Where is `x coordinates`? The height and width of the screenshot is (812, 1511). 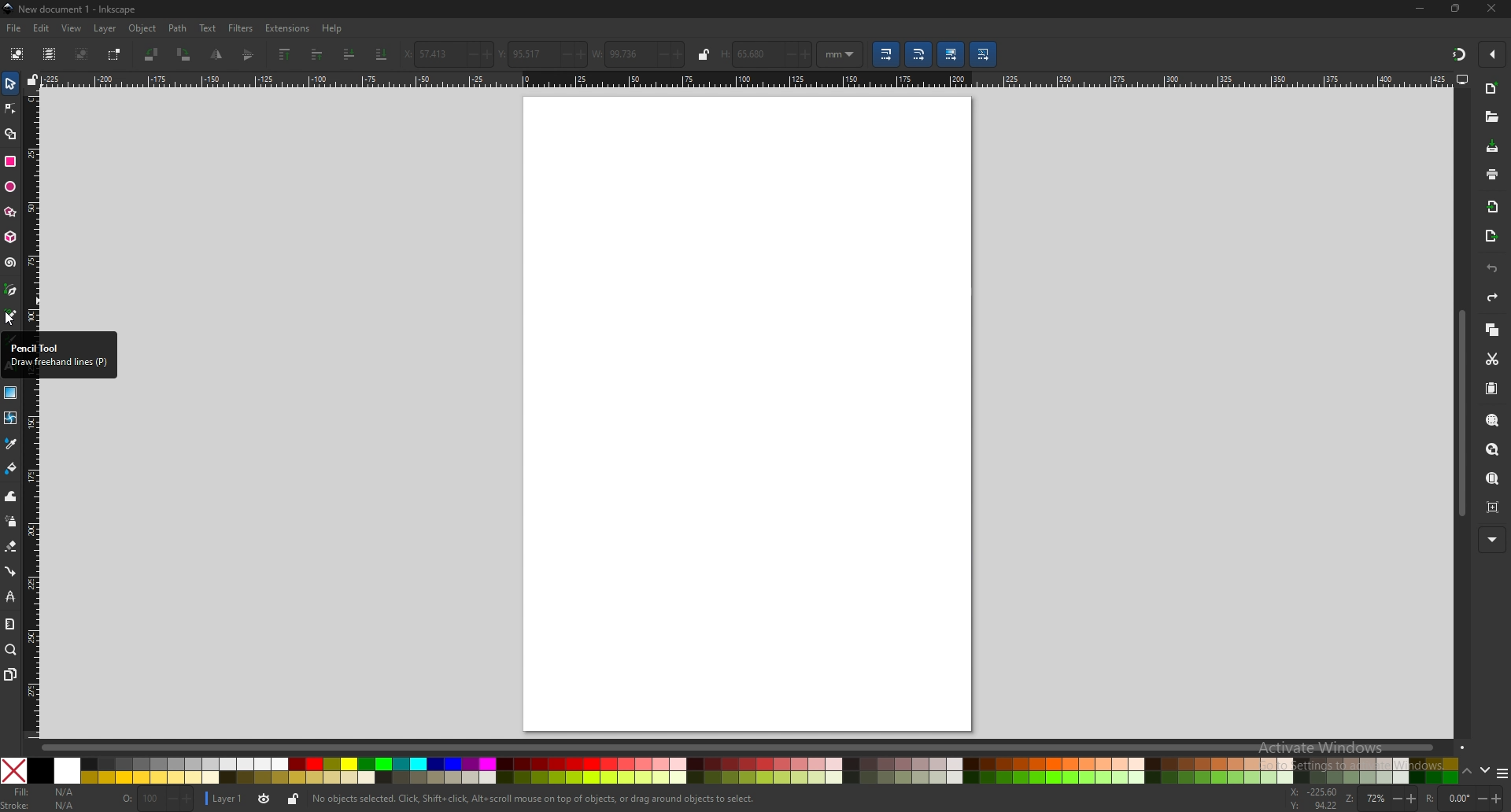
x coordinates is located at coordinates (446, 54).